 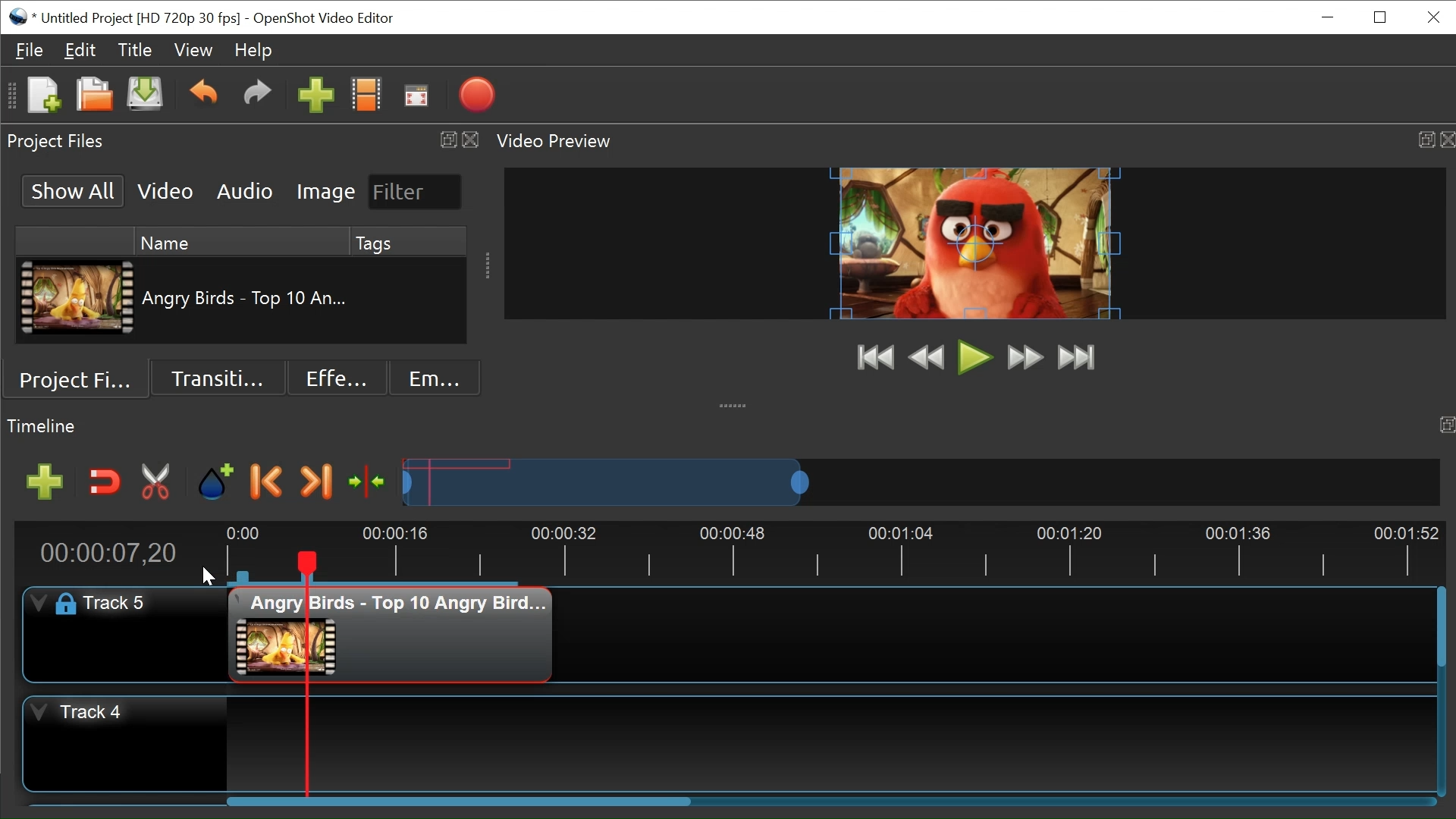 What do you see at coordinates (256, 52) in the screenshot?
I see `Help` at bounding box center [256, 52].